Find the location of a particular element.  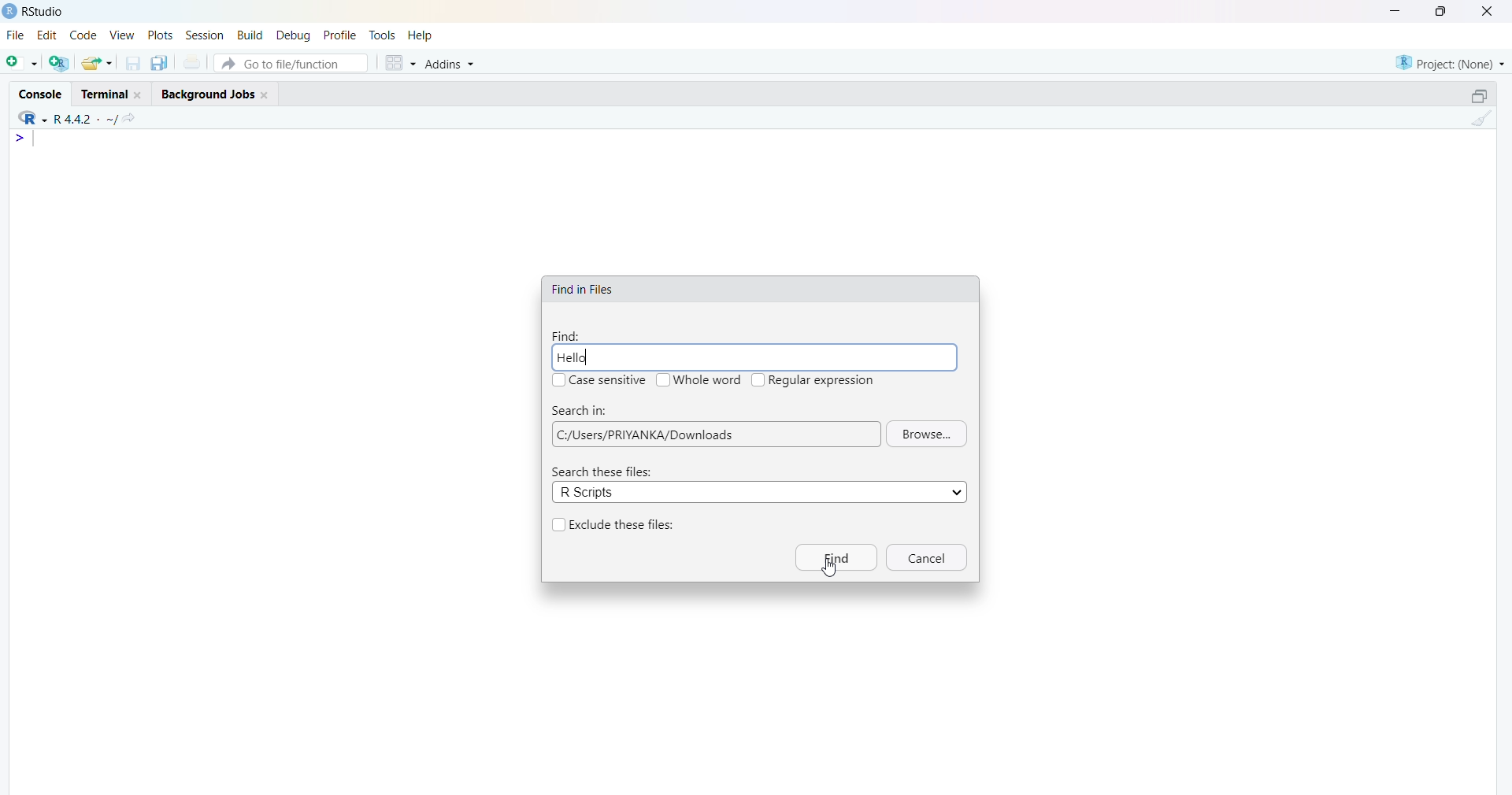

grid is located at coordinates (401, 63).